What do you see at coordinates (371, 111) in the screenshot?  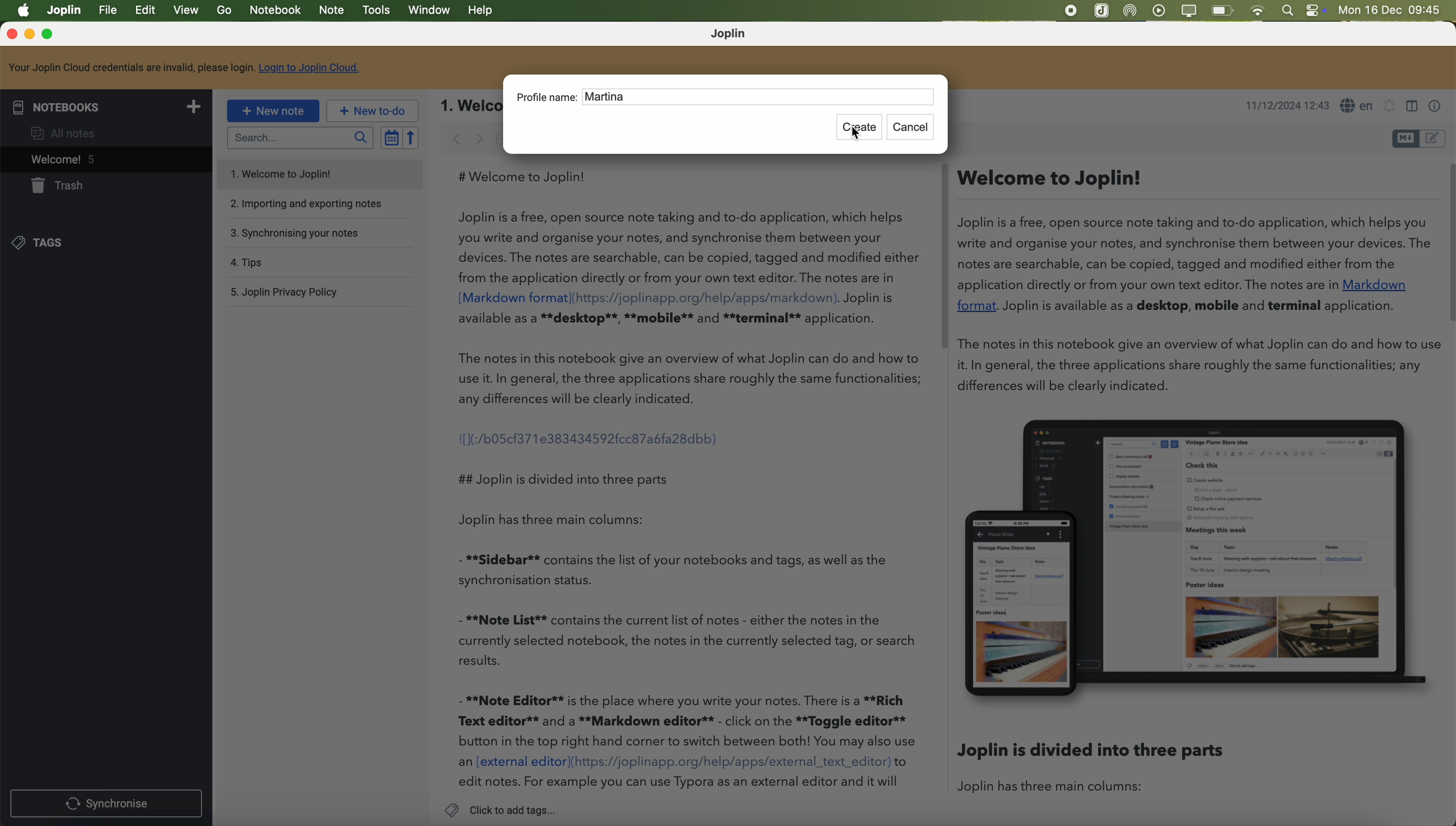 I see `new to-do` at bounding box center [371, 111].